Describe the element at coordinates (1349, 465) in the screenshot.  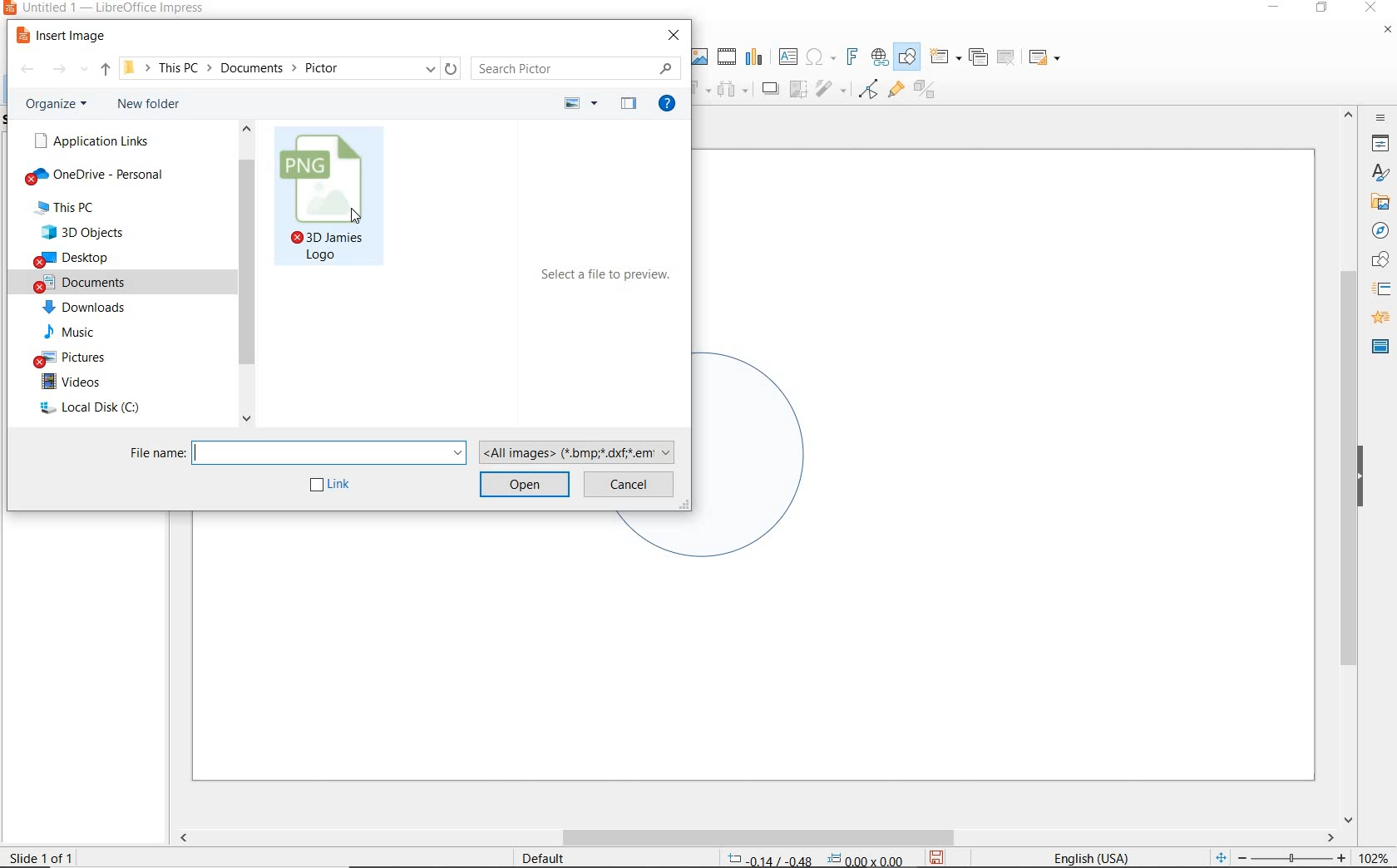
I see `scrollbar` at that location.